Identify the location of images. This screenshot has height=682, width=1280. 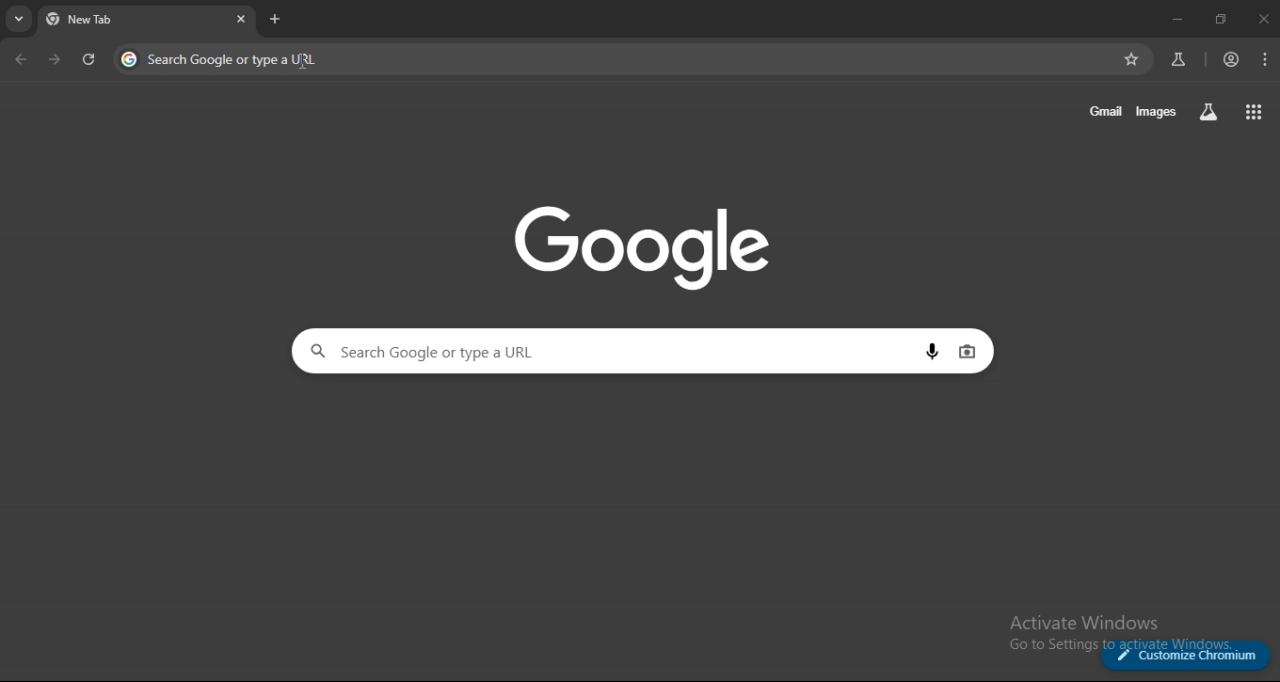
(1155, 112).